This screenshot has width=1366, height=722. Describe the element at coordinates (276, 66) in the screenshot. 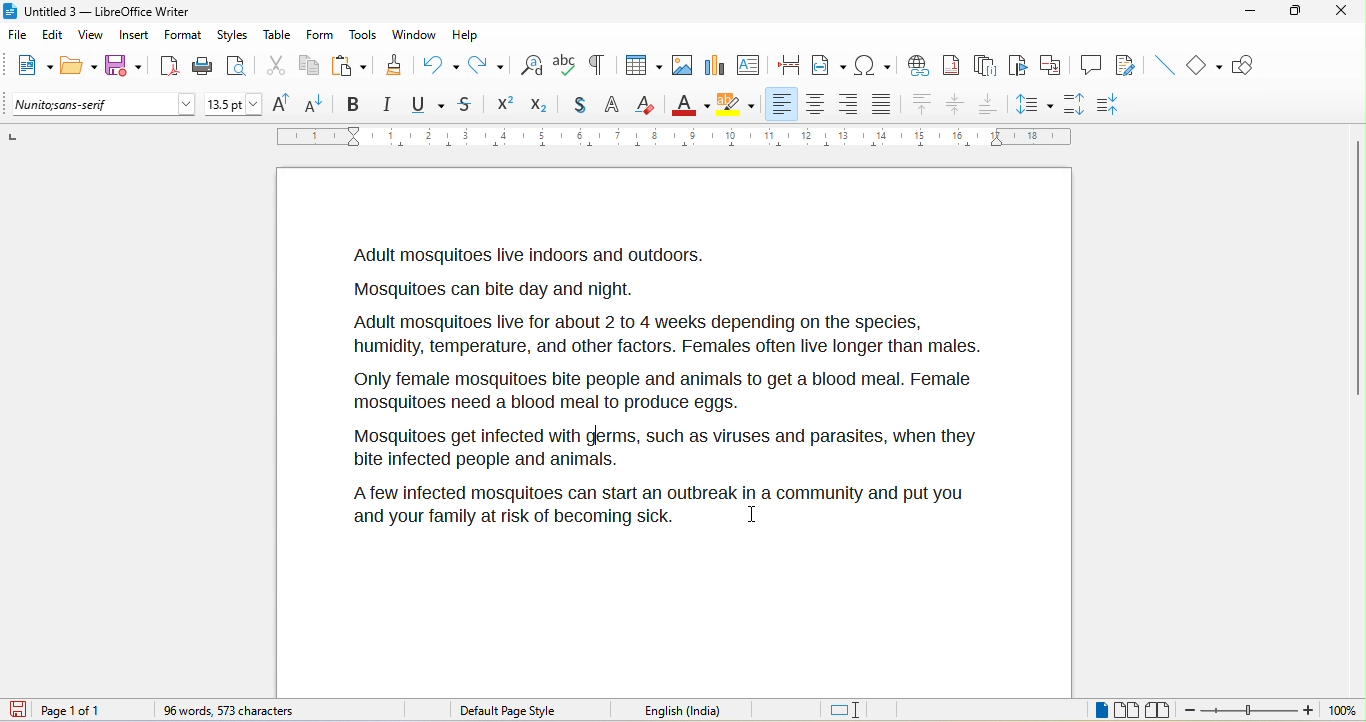

I see `cut` at that location.